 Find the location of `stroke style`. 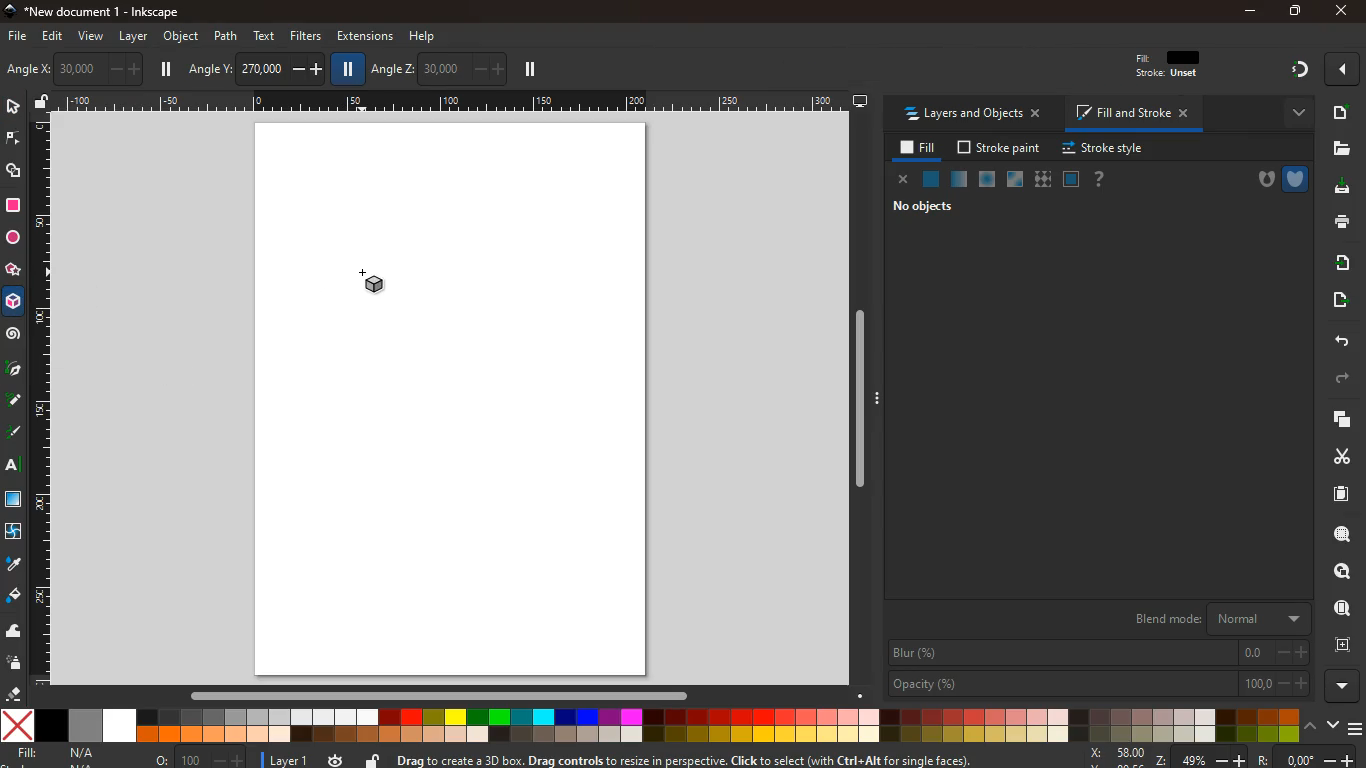

stroke style is located at coordinates (1100, 149).